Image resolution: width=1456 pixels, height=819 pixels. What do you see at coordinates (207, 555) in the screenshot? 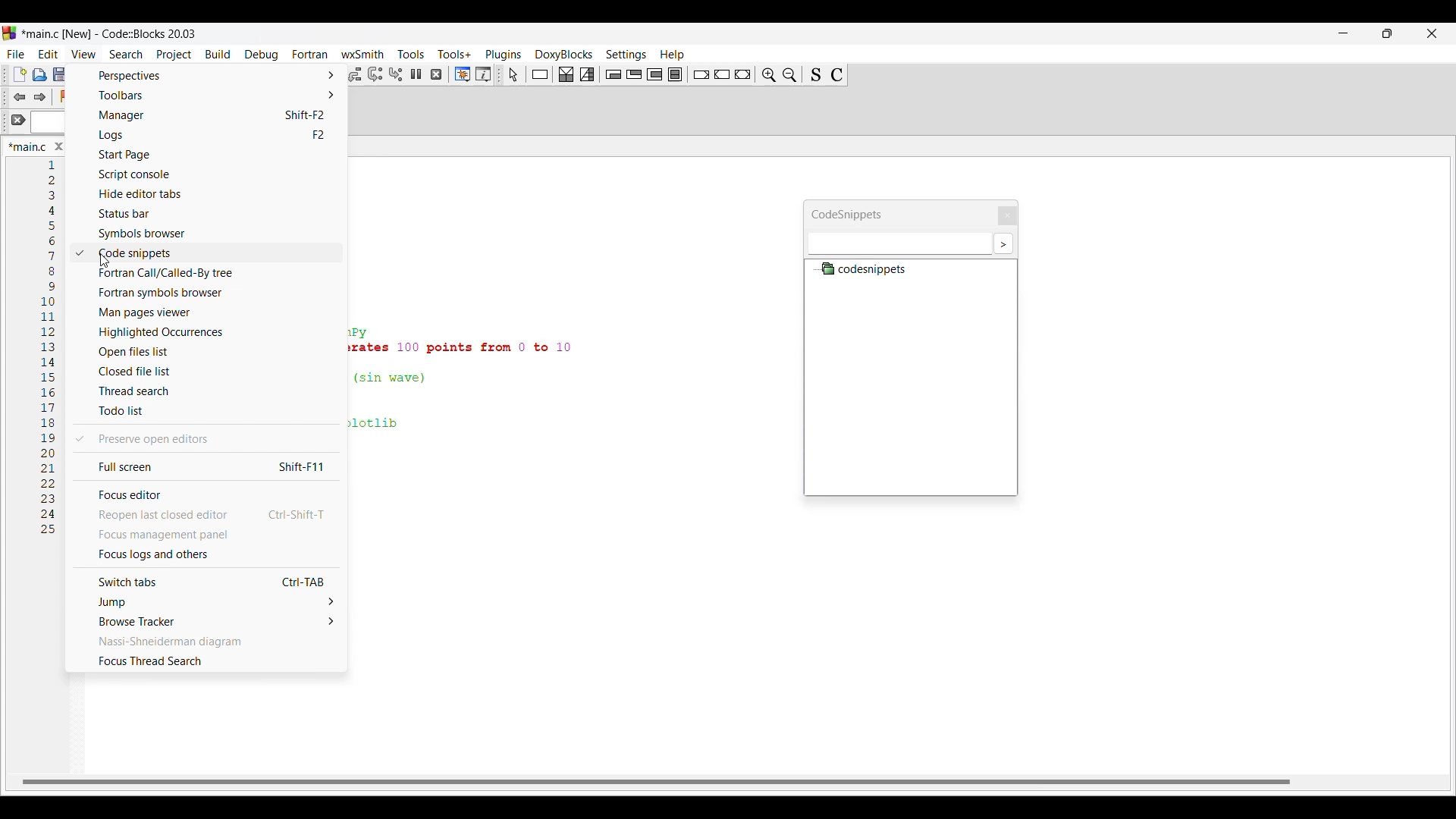
I see `Focus logs and others` at bounding box center [207, 555].